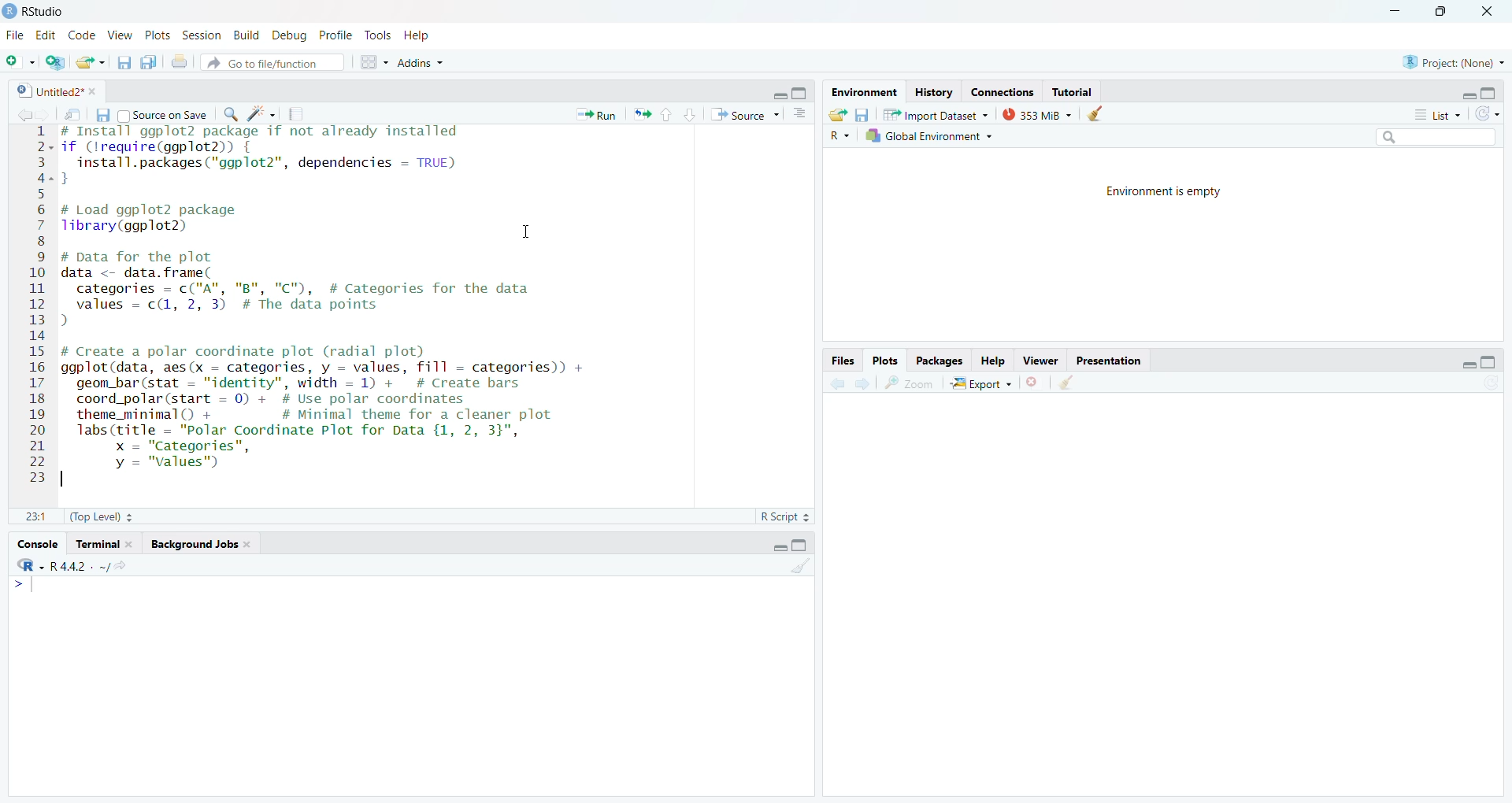  What do you see at coordinates (179, 65) in the screenshot?
I see `print the current file` at bounding box center [179, 65].